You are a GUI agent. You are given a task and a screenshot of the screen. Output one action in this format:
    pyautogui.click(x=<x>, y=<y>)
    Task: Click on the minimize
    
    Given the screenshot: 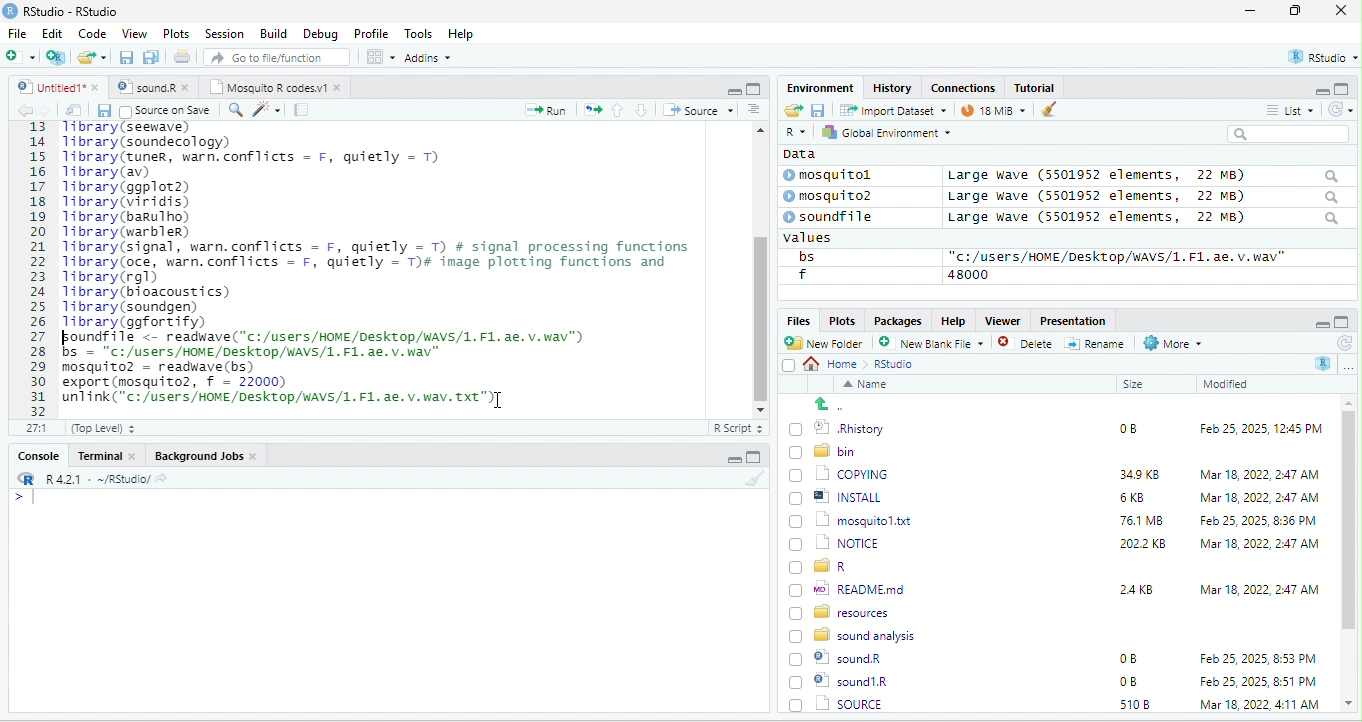 What is the action you would take?
    pyautogui.click(x=1314, y=90)
    